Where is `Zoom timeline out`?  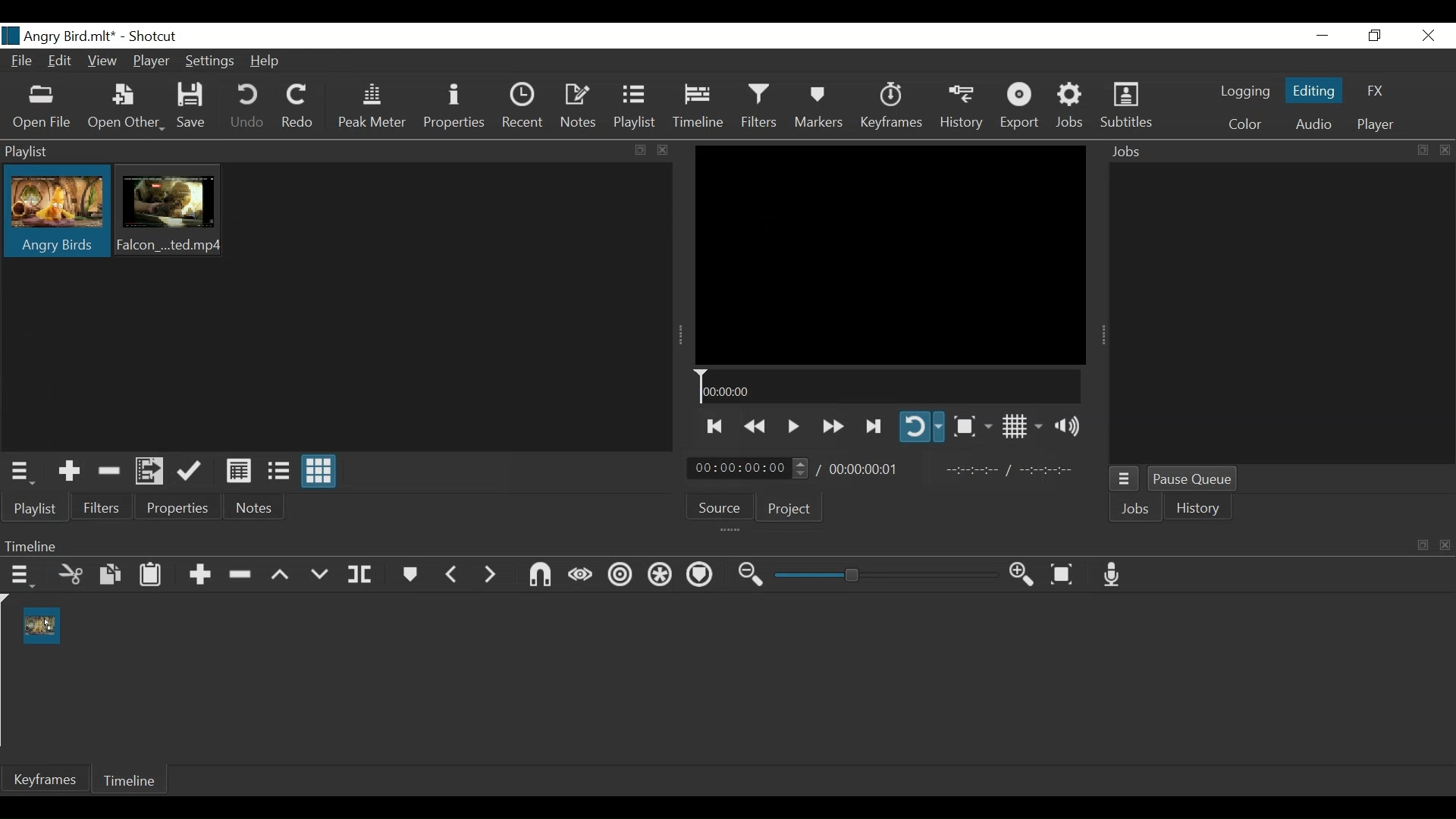
Zoom timeline out is located at coordinates (748, 576).